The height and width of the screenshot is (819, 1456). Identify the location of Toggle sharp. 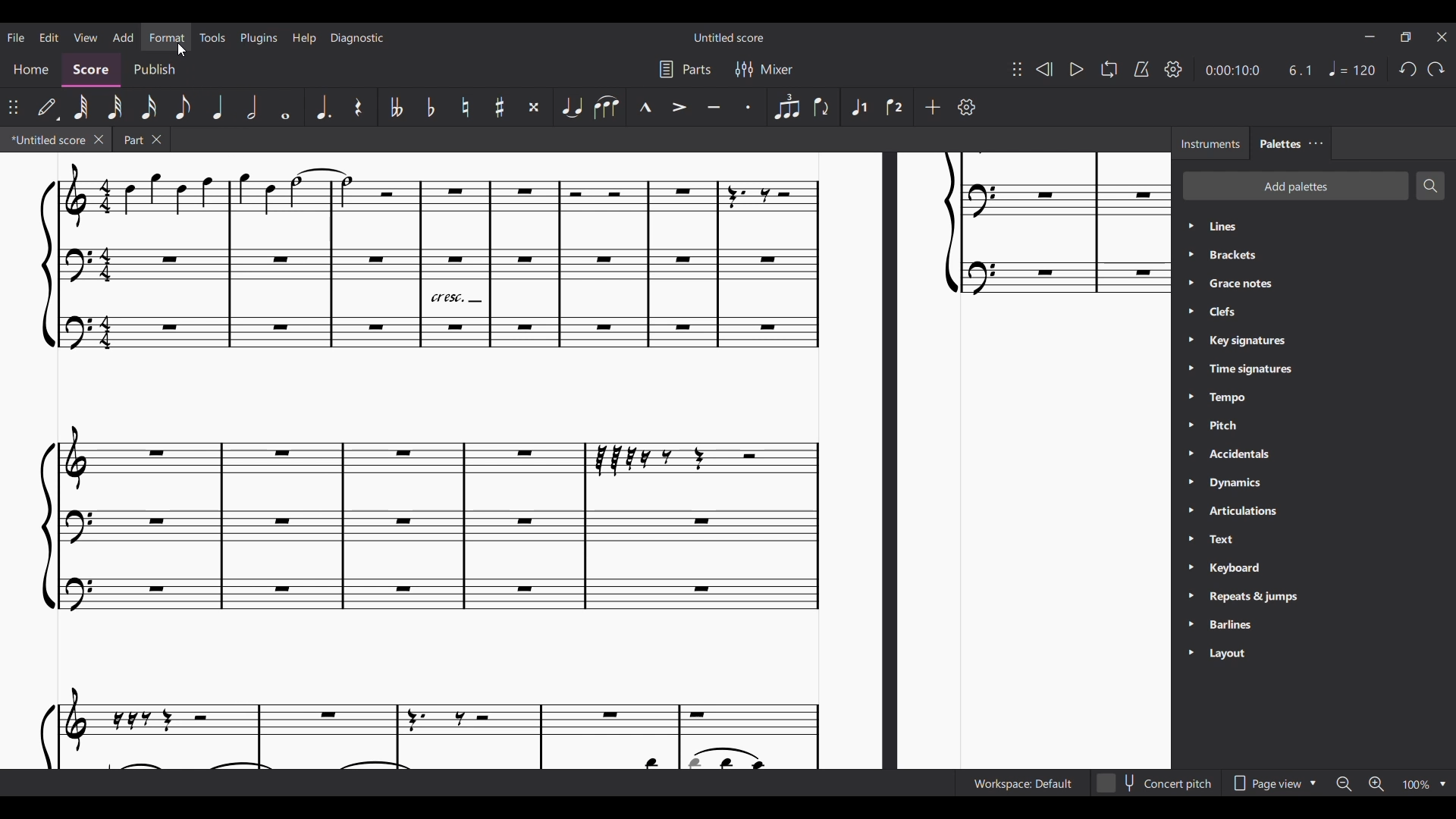
(500, 107).